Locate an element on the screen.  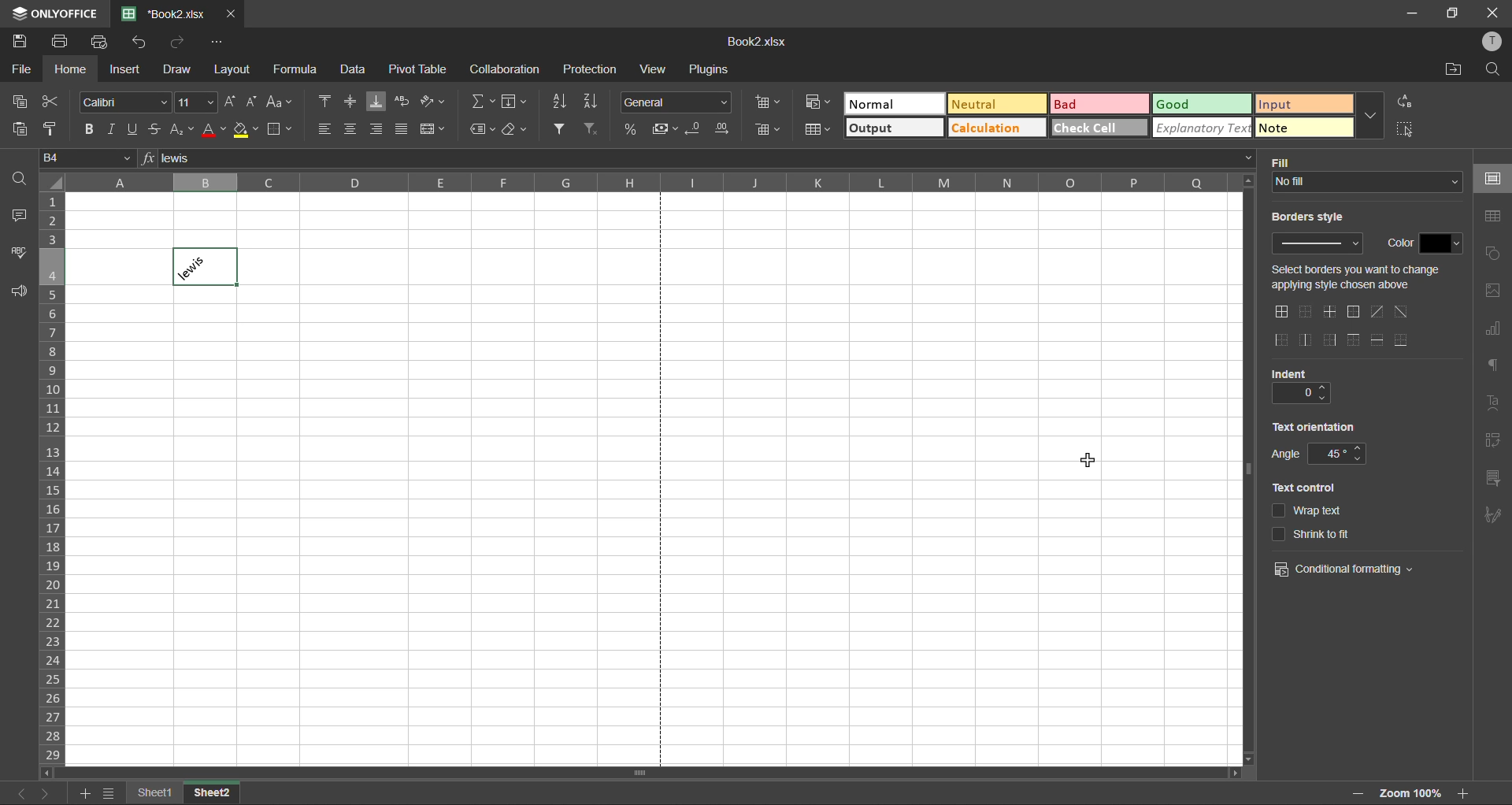
find is located at coordinates (1492, 72).